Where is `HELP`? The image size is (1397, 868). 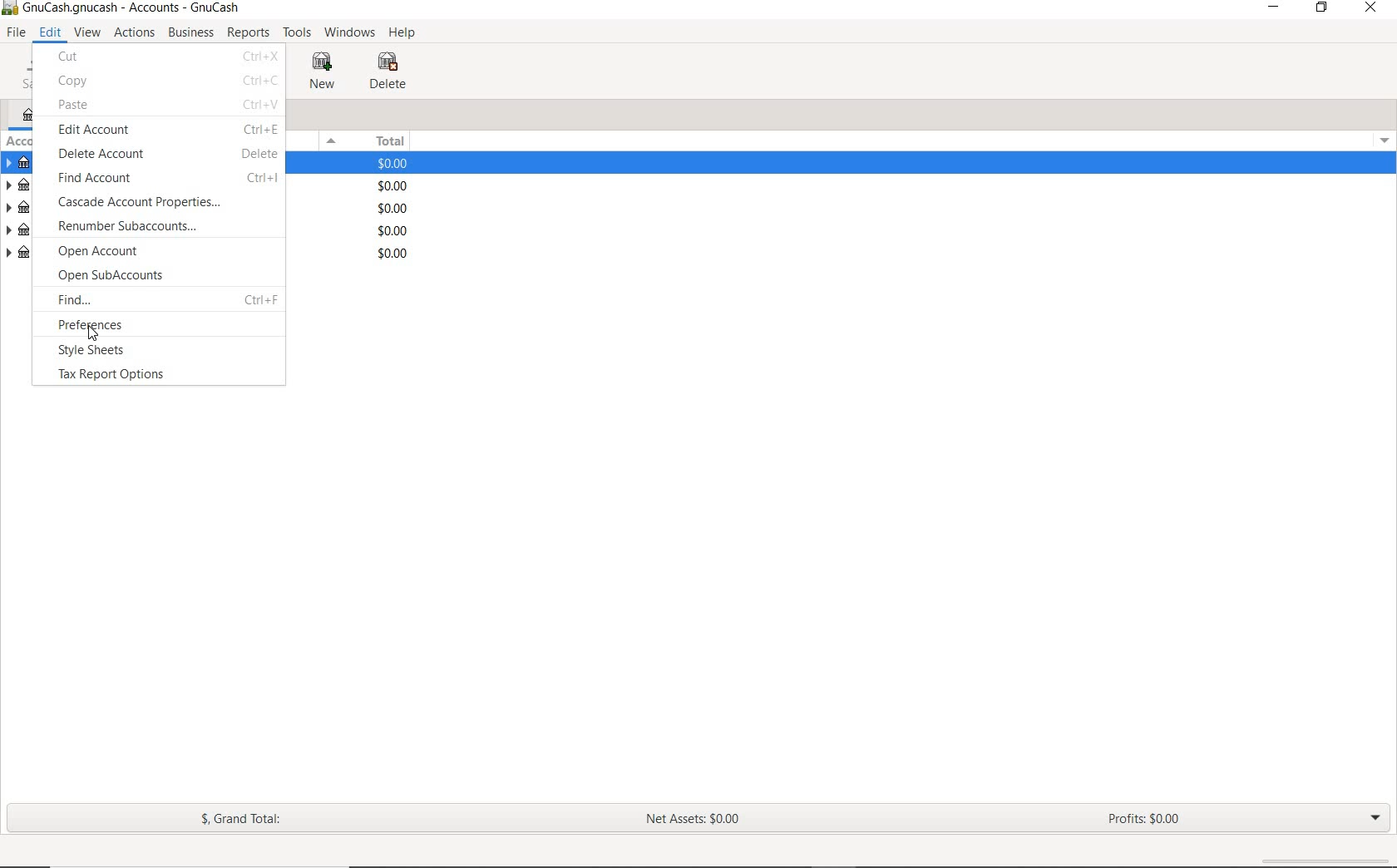 HELP is located at coordinates (403, 34).